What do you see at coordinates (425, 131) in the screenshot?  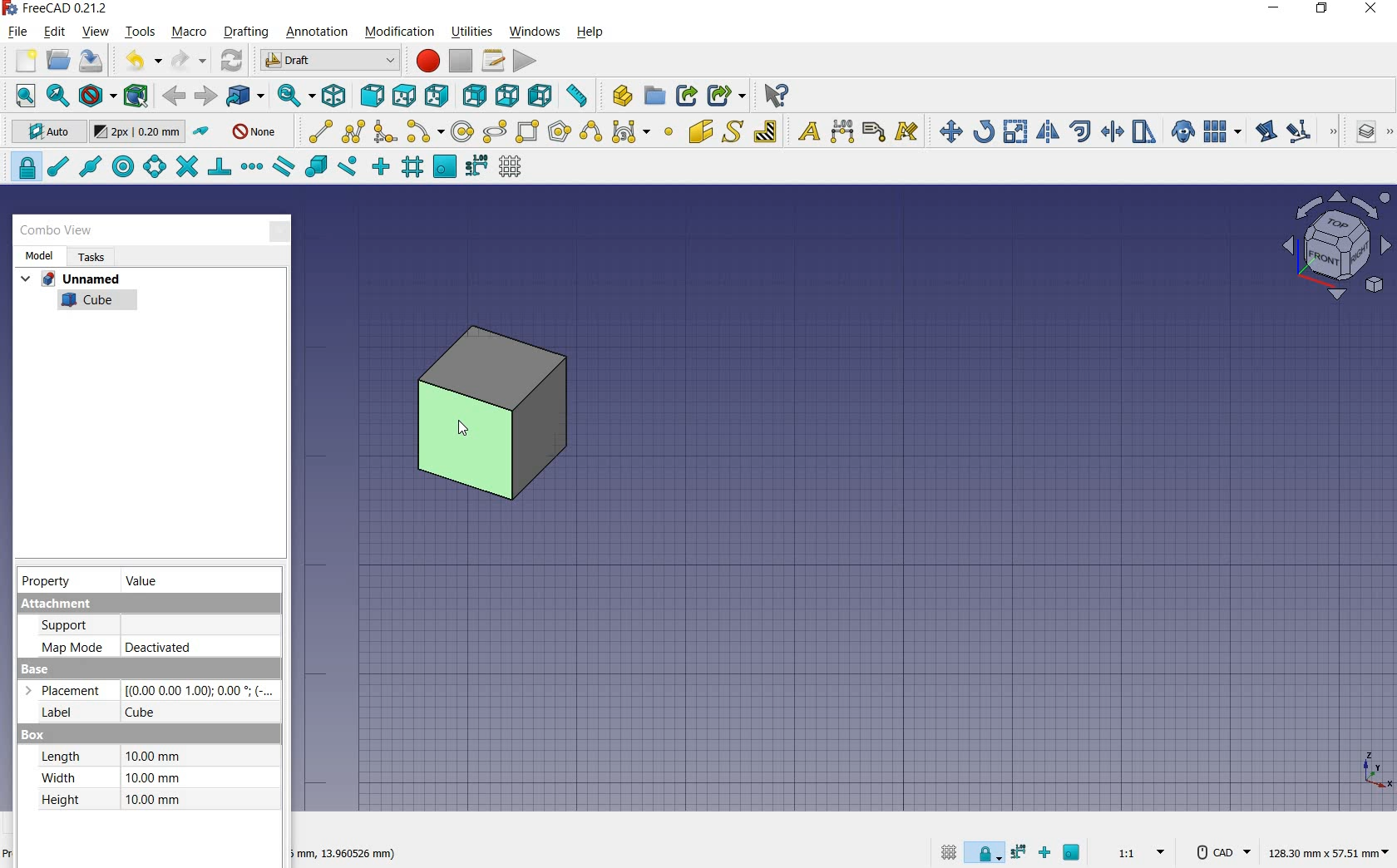 I see `arc tools` at bounding box center [425, 131].